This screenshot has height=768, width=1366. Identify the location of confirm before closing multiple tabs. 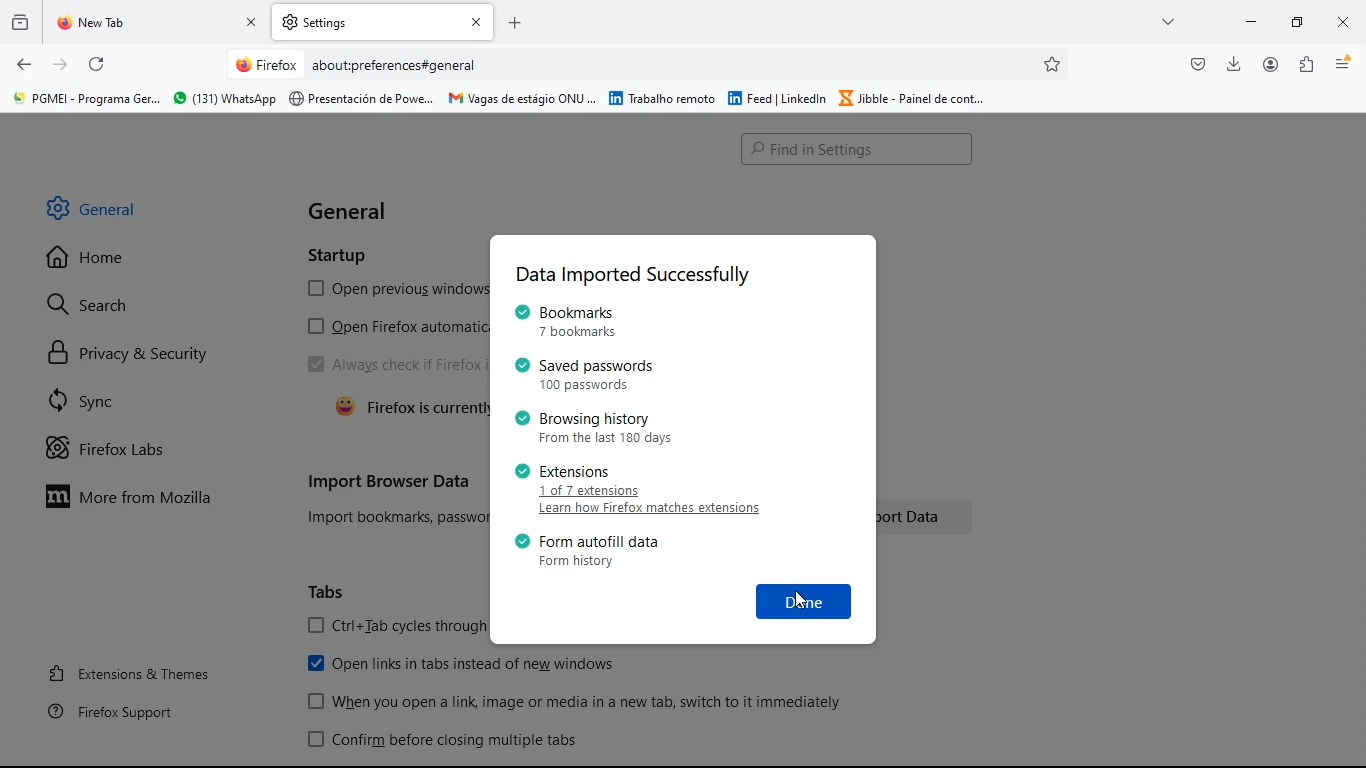
(448, 742).